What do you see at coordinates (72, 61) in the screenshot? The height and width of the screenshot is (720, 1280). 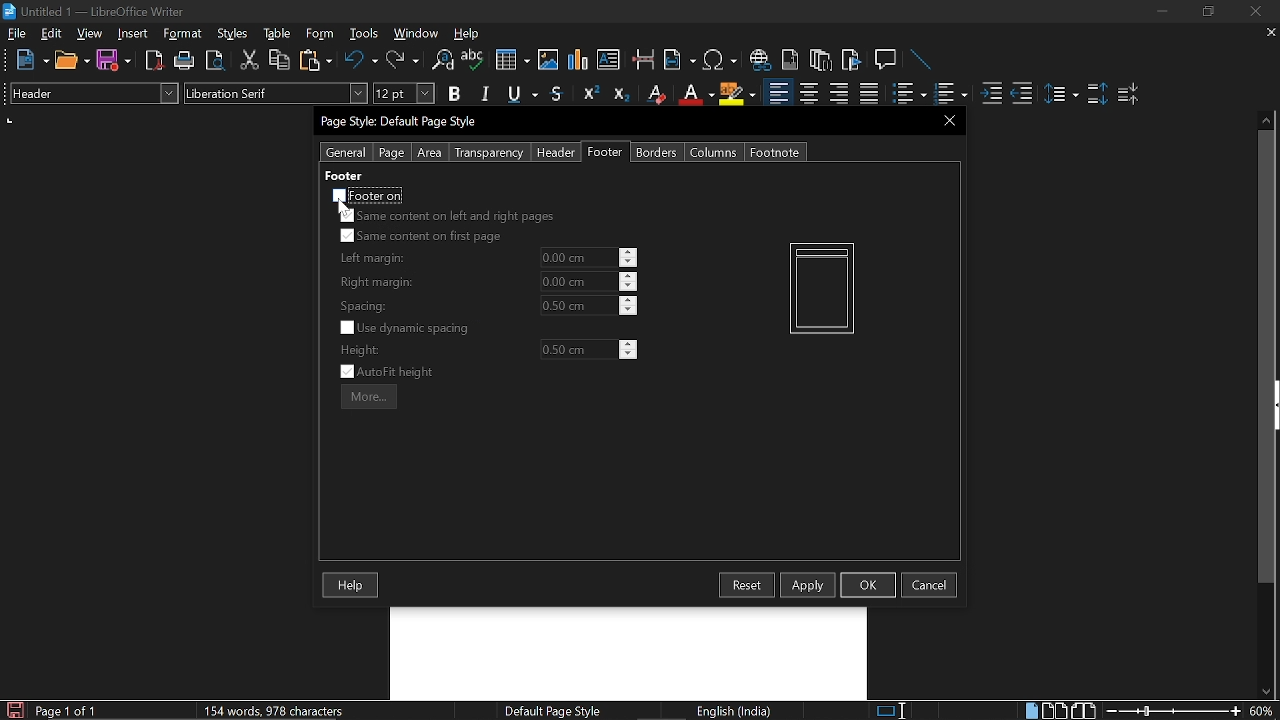 I see `Open` at bounding box center [72, 61].